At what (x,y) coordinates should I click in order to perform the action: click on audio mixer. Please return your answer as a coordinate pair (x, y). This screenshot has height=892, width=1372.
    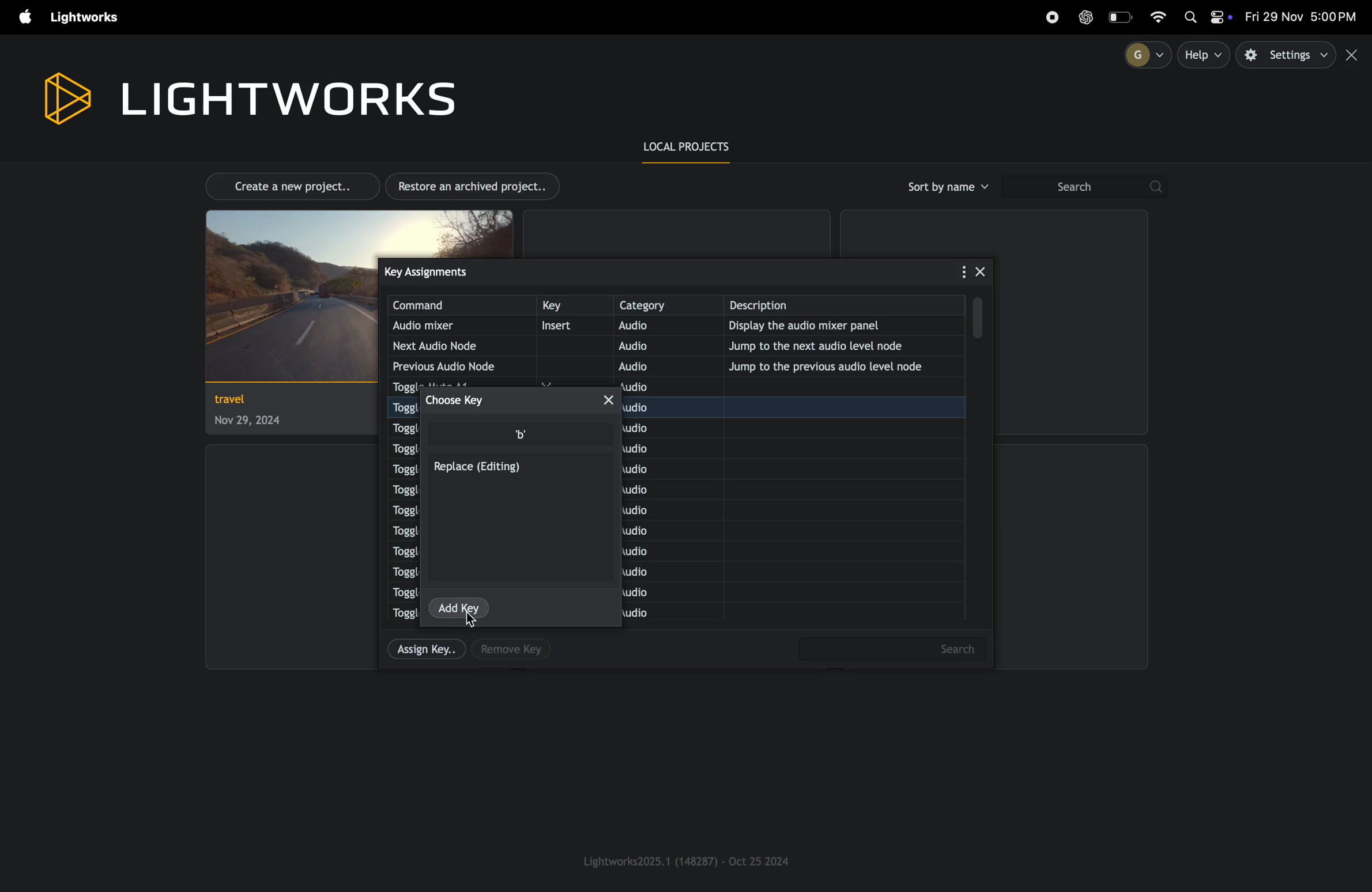
    Looking at the image, I should click on (447, 326).